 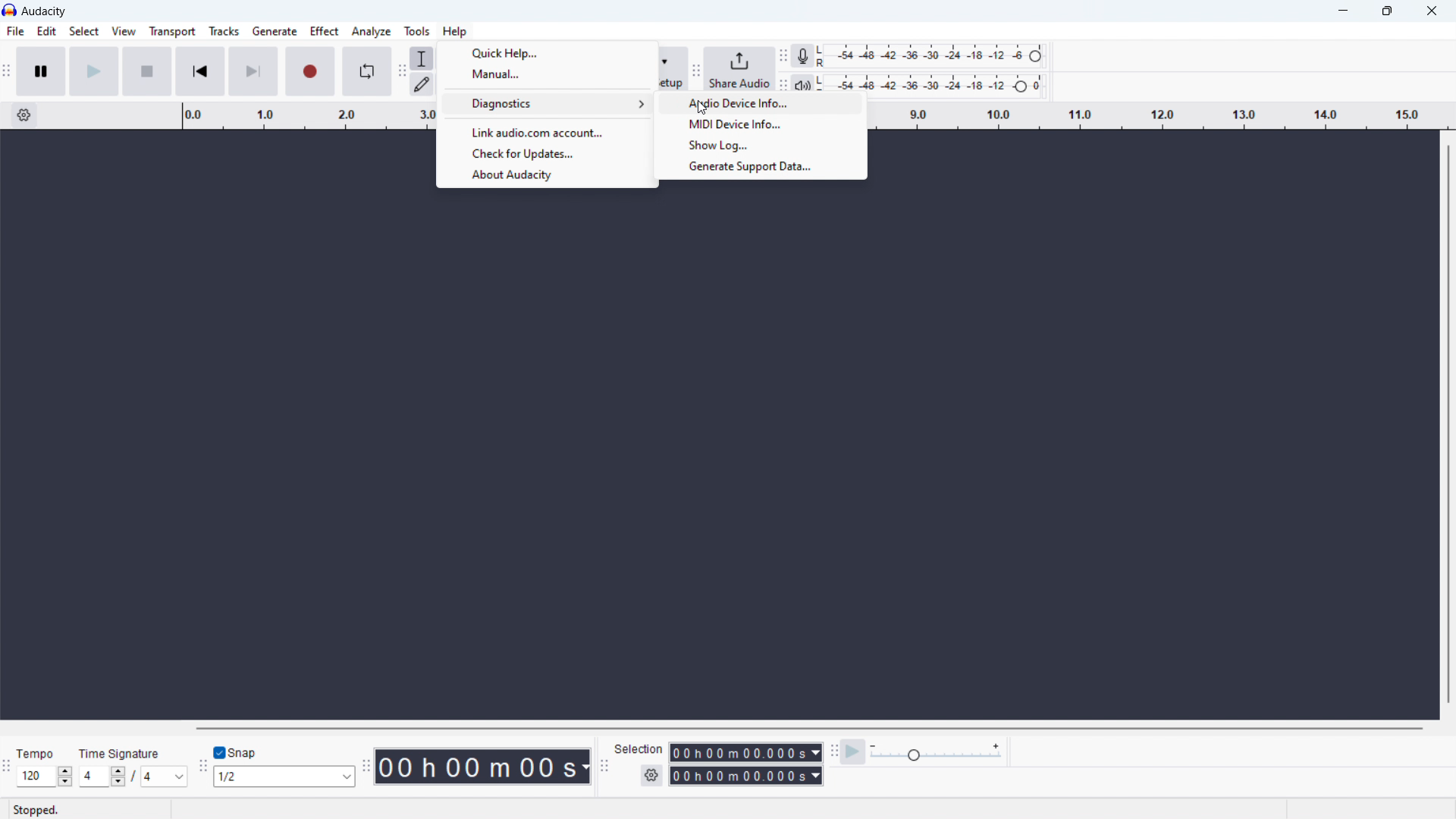 What do you see at coordinates (456, 31) in the screenshot?
I see `Cursor on help` at bounding box center [456, 31].